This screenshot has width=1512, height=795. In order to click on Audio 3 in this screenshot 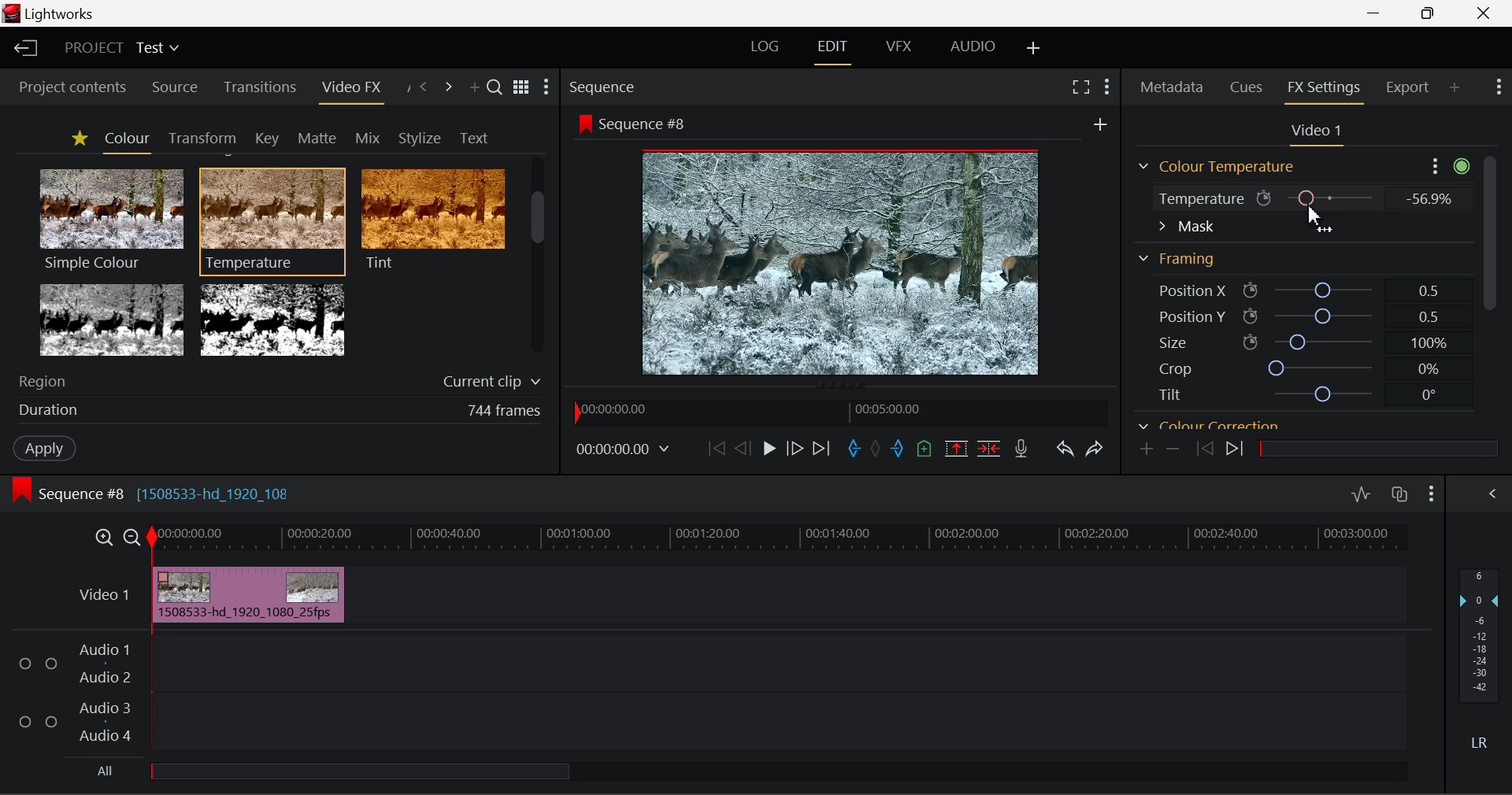, I will do `click(102, 708)`.